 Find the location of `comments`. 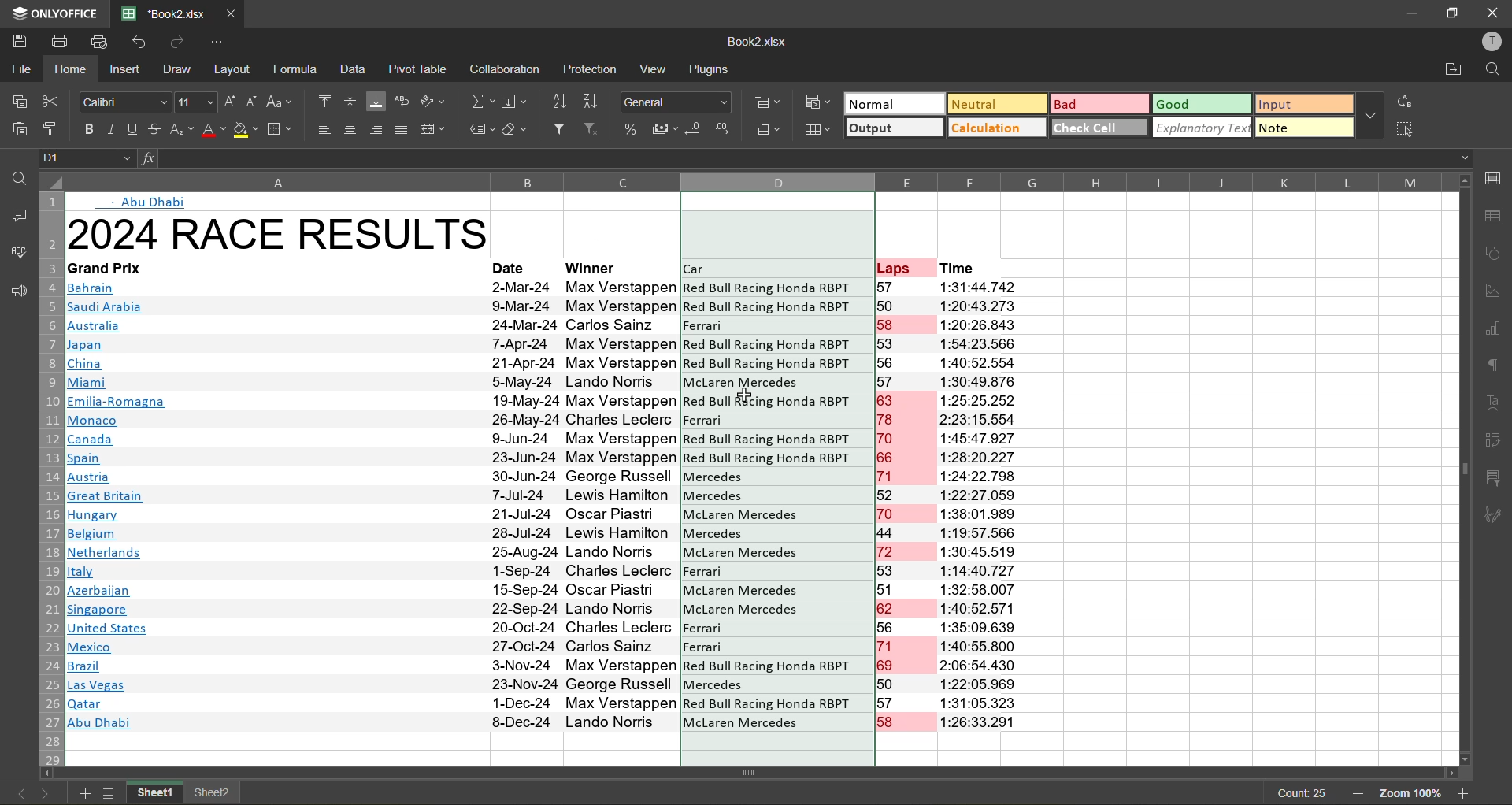

comments is located at coordinates (16, 218).